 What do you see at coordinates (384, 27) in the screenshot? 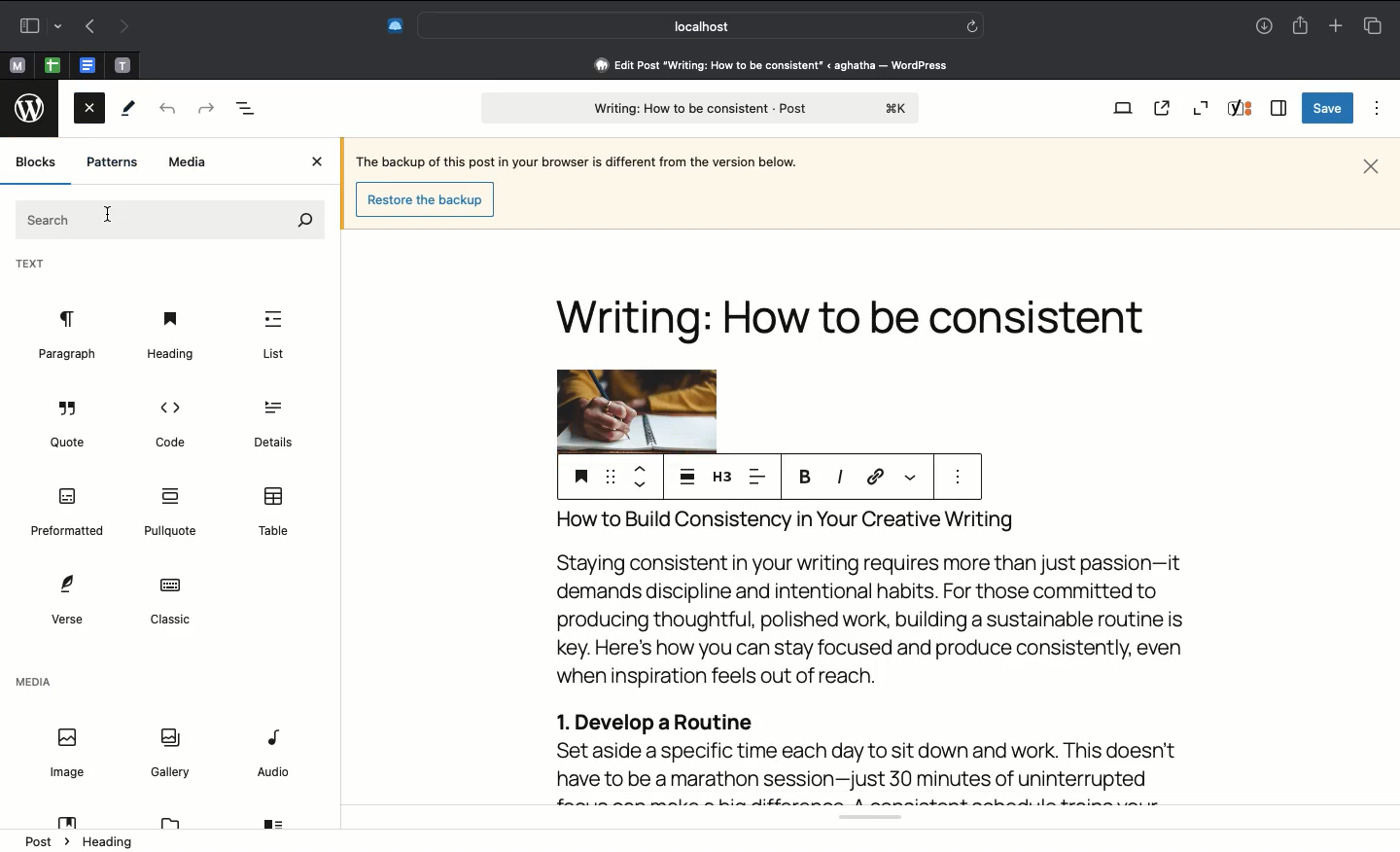
I see `Extensions` at bounding box center [384, 27].